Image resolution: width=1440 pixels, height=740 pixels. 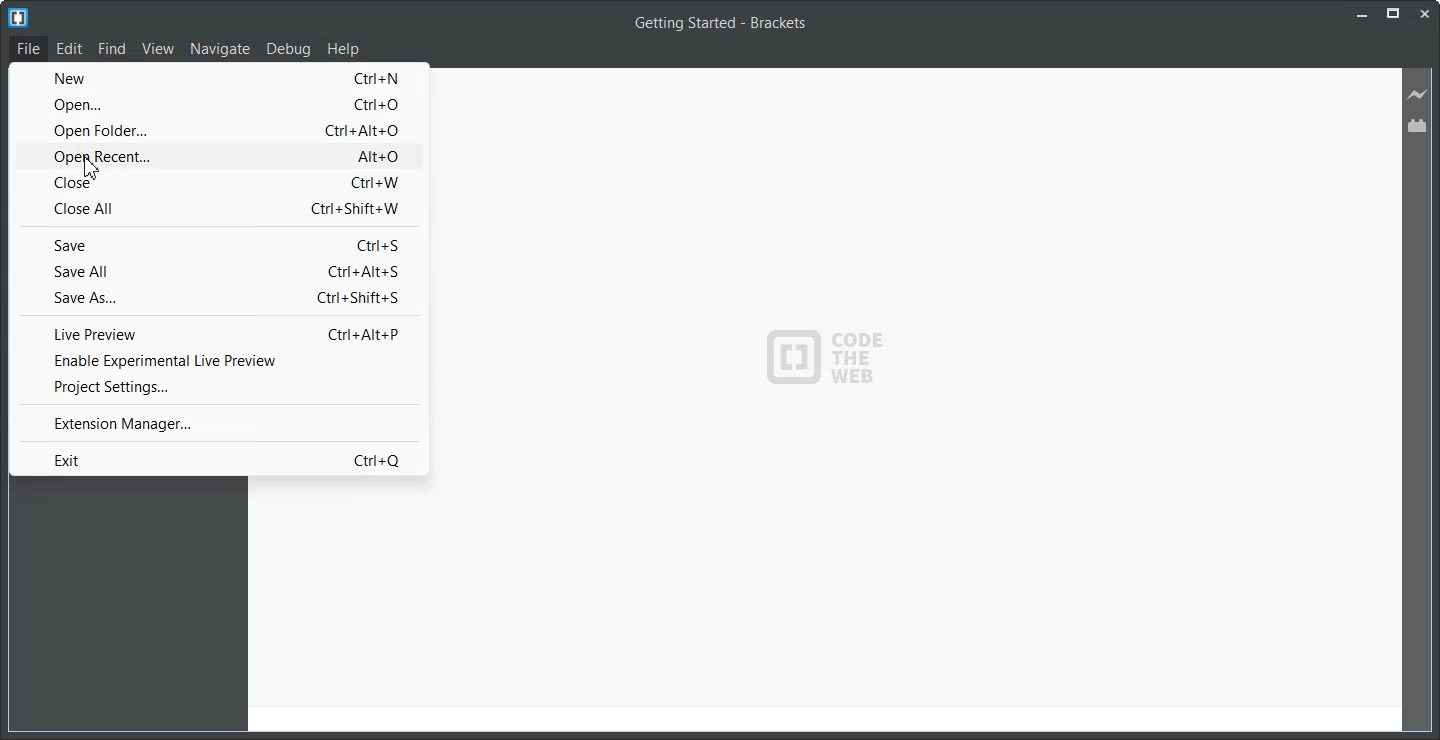 What do you see at coordinates (222, 458) in the screenshot?
I see `Exit` at bounding box center [222, 458].